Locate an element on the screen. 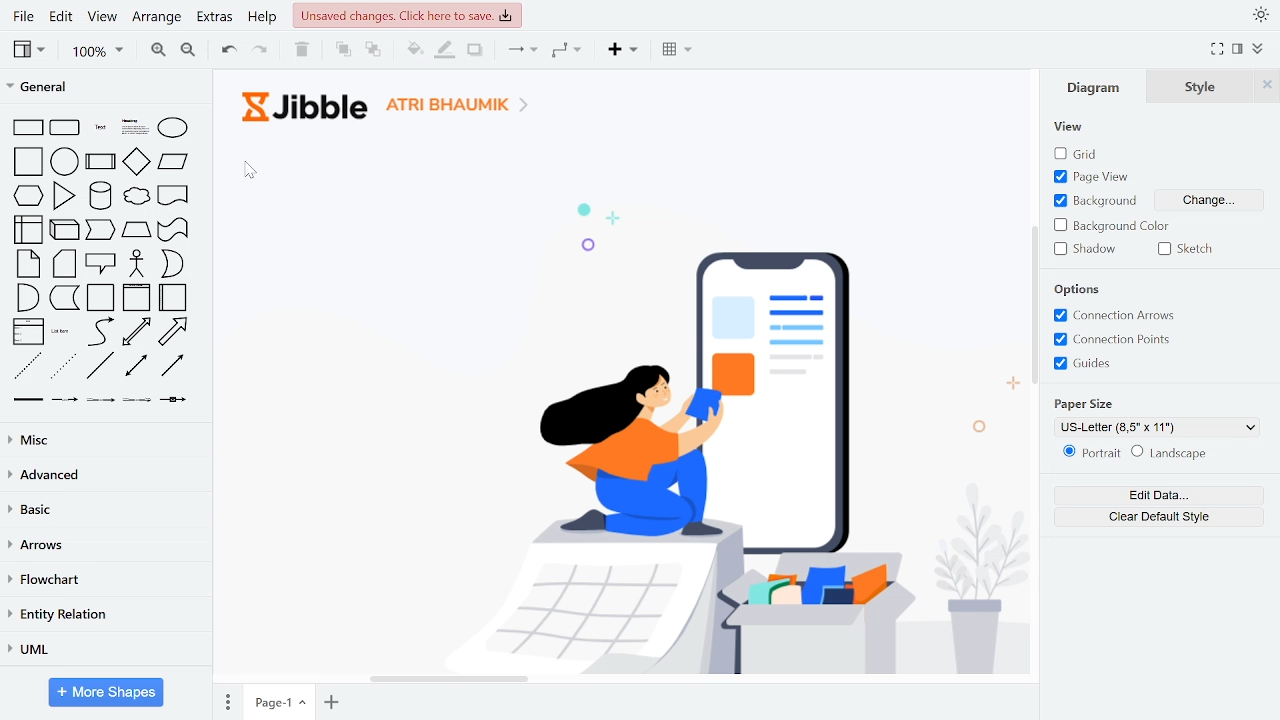  general shapes is located at coordinates (27, 330).